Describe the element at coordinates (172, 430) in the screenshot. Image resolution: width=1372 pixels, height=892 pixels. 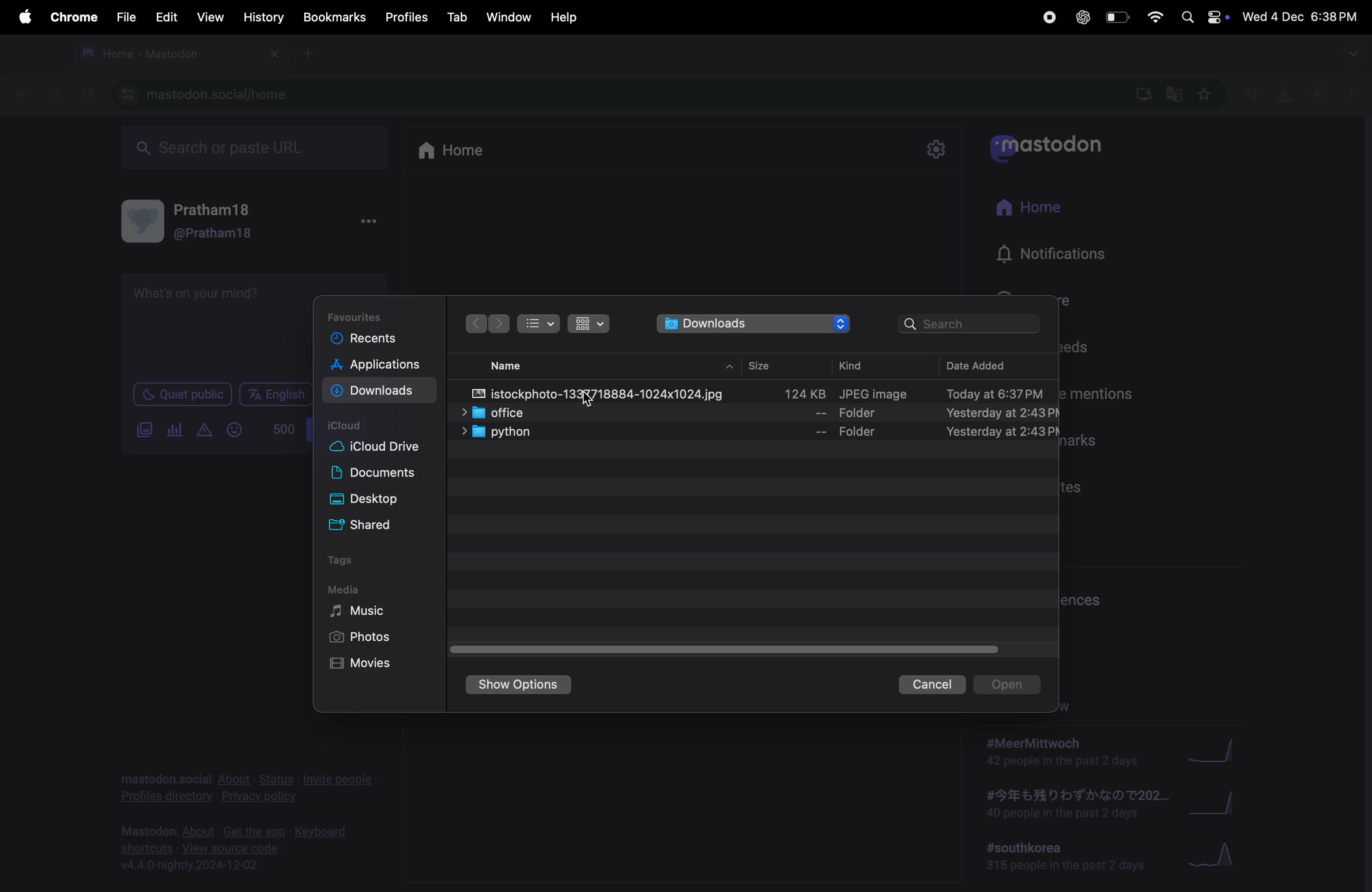
I see `poll` at that location.